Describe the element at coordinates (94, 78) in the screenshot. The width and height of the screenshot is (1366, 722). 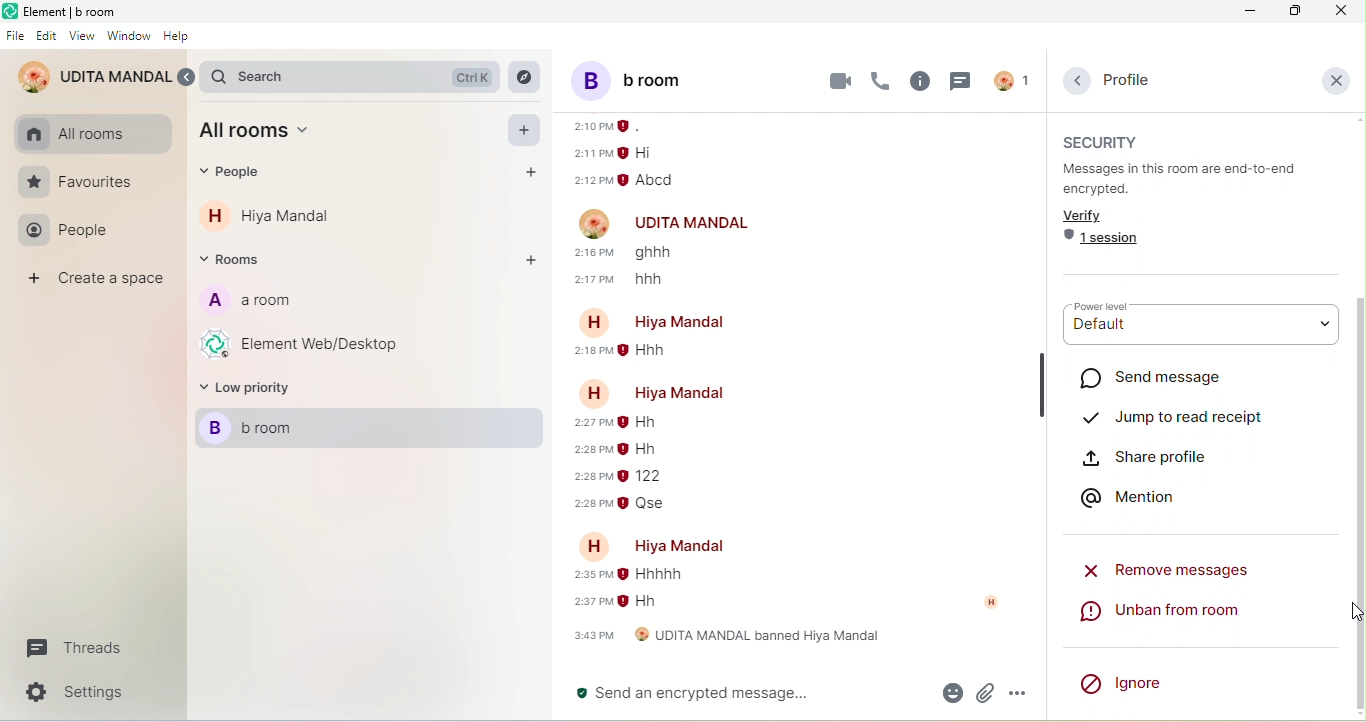
I see `udita mandal` at that location.